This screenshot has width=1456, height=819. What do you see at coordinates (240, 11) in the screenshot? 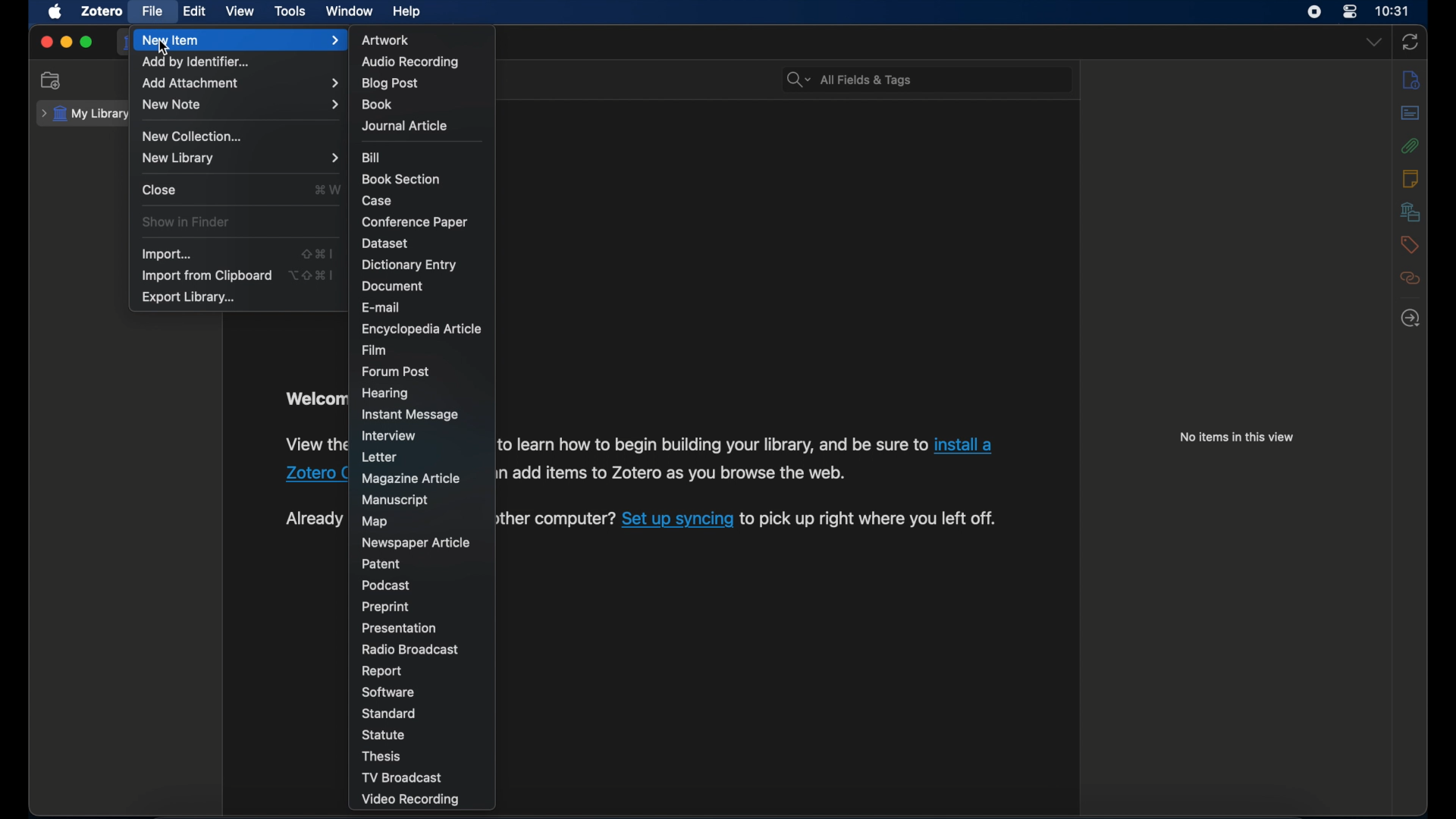
I see `view` at bounding box center [240, 11].